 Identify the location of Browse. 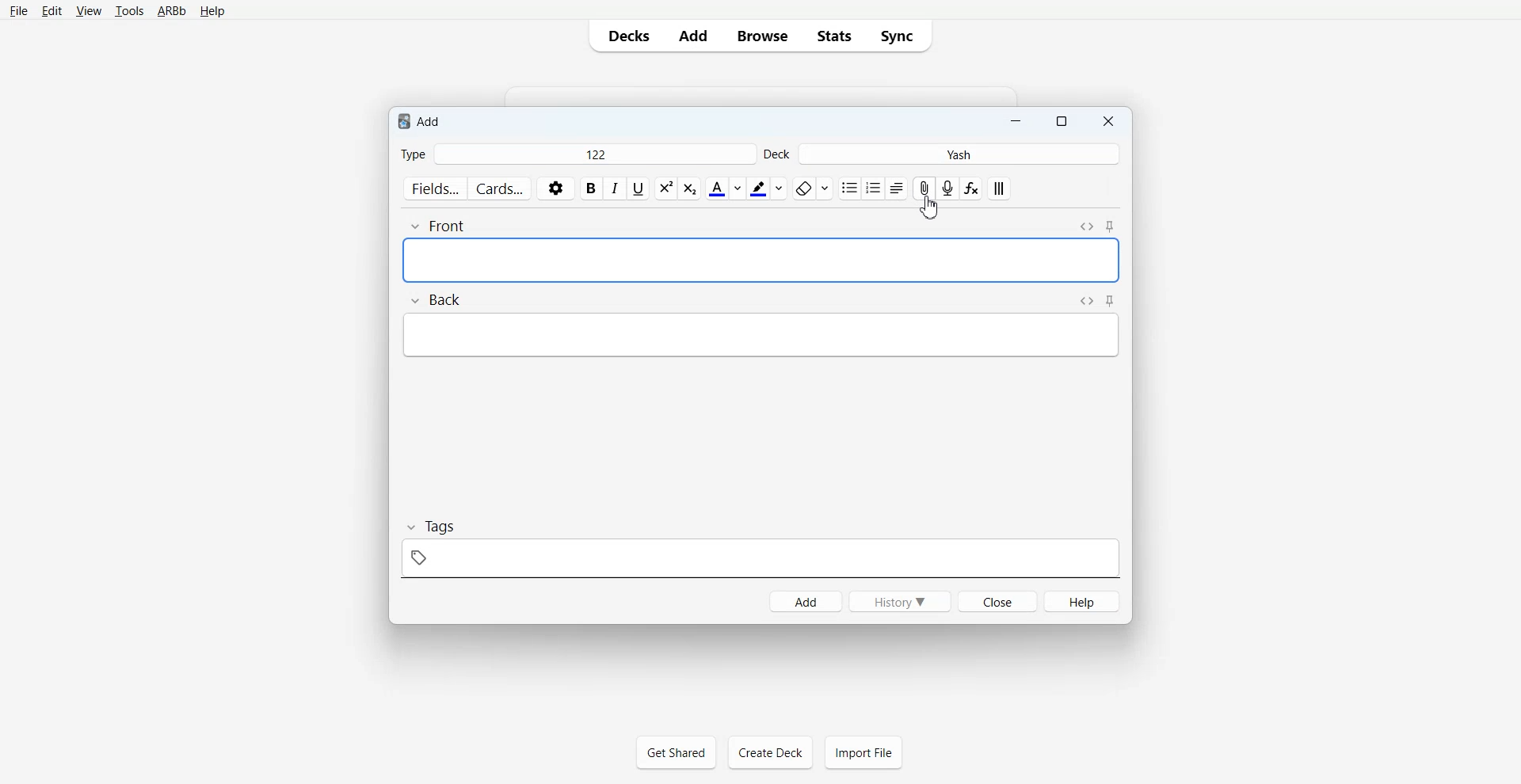
(761, 36).